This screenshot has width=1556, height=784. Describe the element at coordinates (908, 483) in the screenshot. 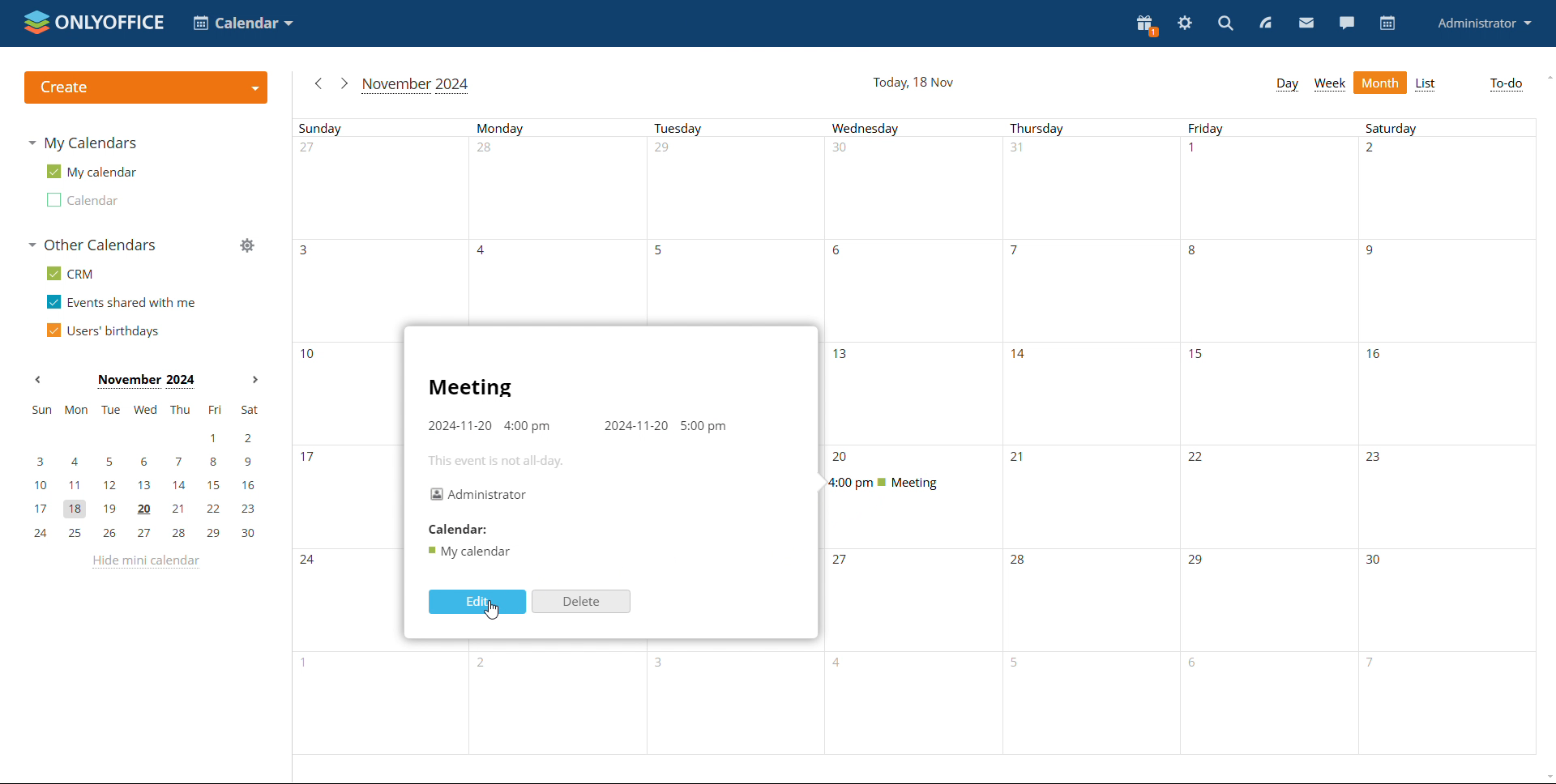

I see `scheduled event ` at that location.